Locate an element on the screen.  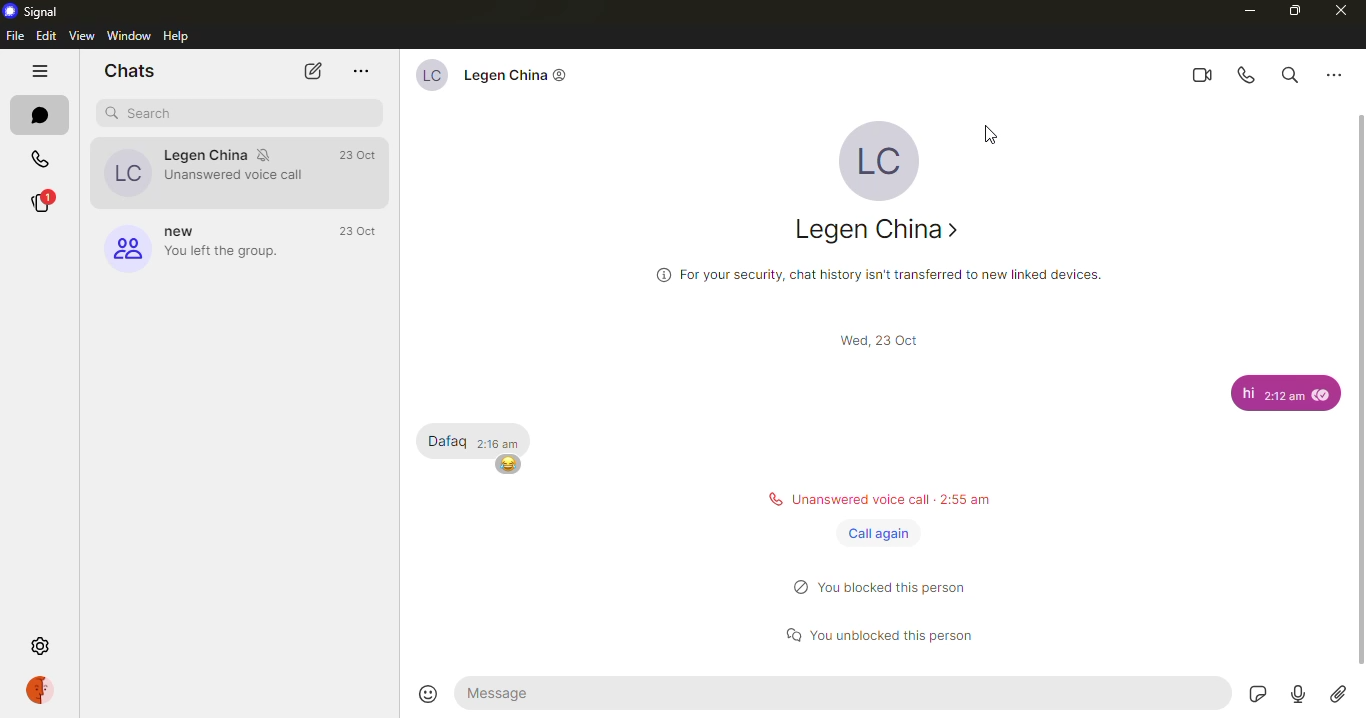
time is located at coordinates (363, 154).